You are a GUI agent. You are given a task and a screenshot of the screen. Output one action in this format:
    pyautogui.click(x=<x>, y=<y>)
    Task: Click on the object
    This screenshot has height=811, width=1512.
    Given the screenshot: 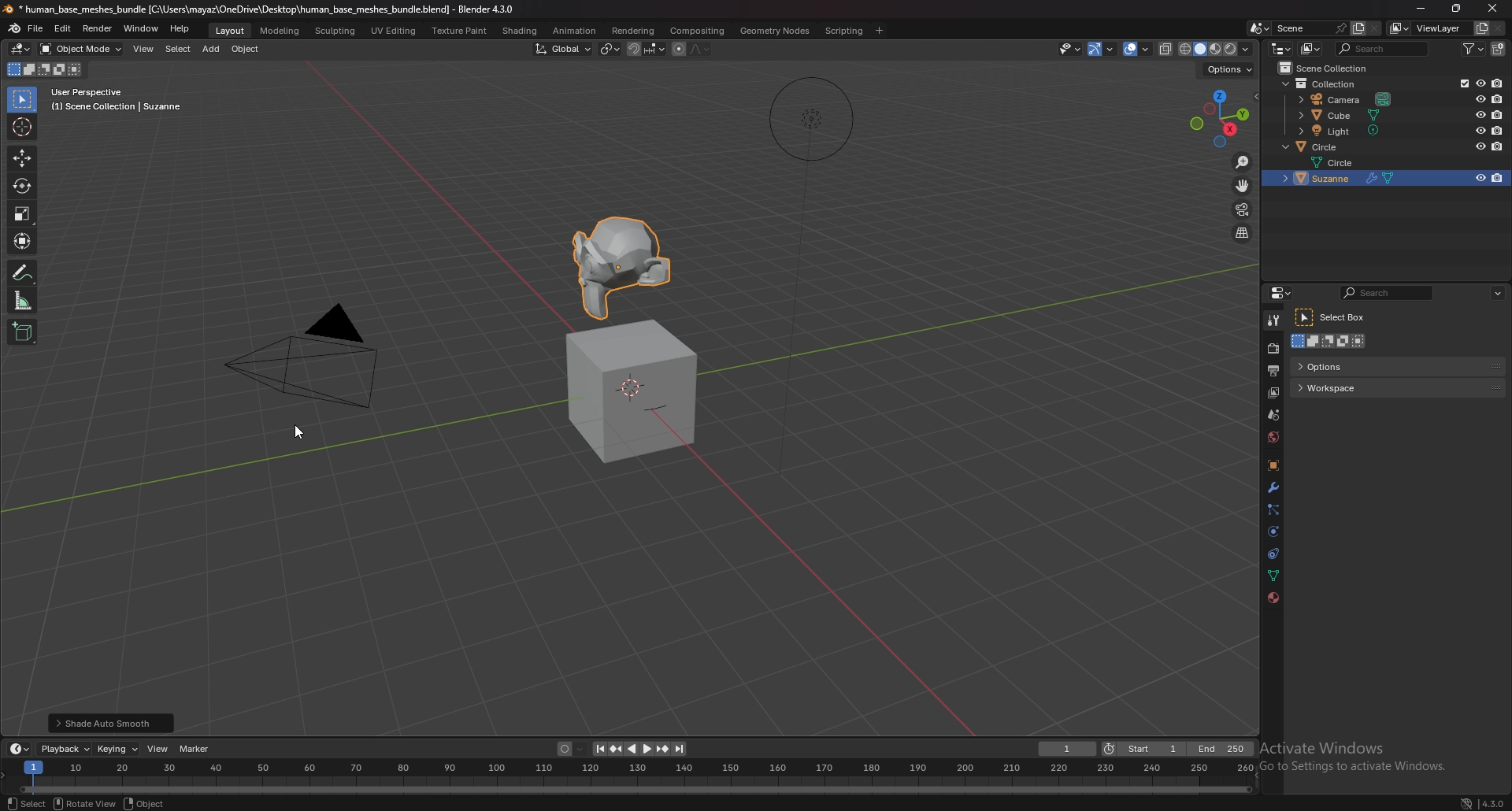 What is the action you would take?
    pyautogui.click(x=1273, y=465)
    